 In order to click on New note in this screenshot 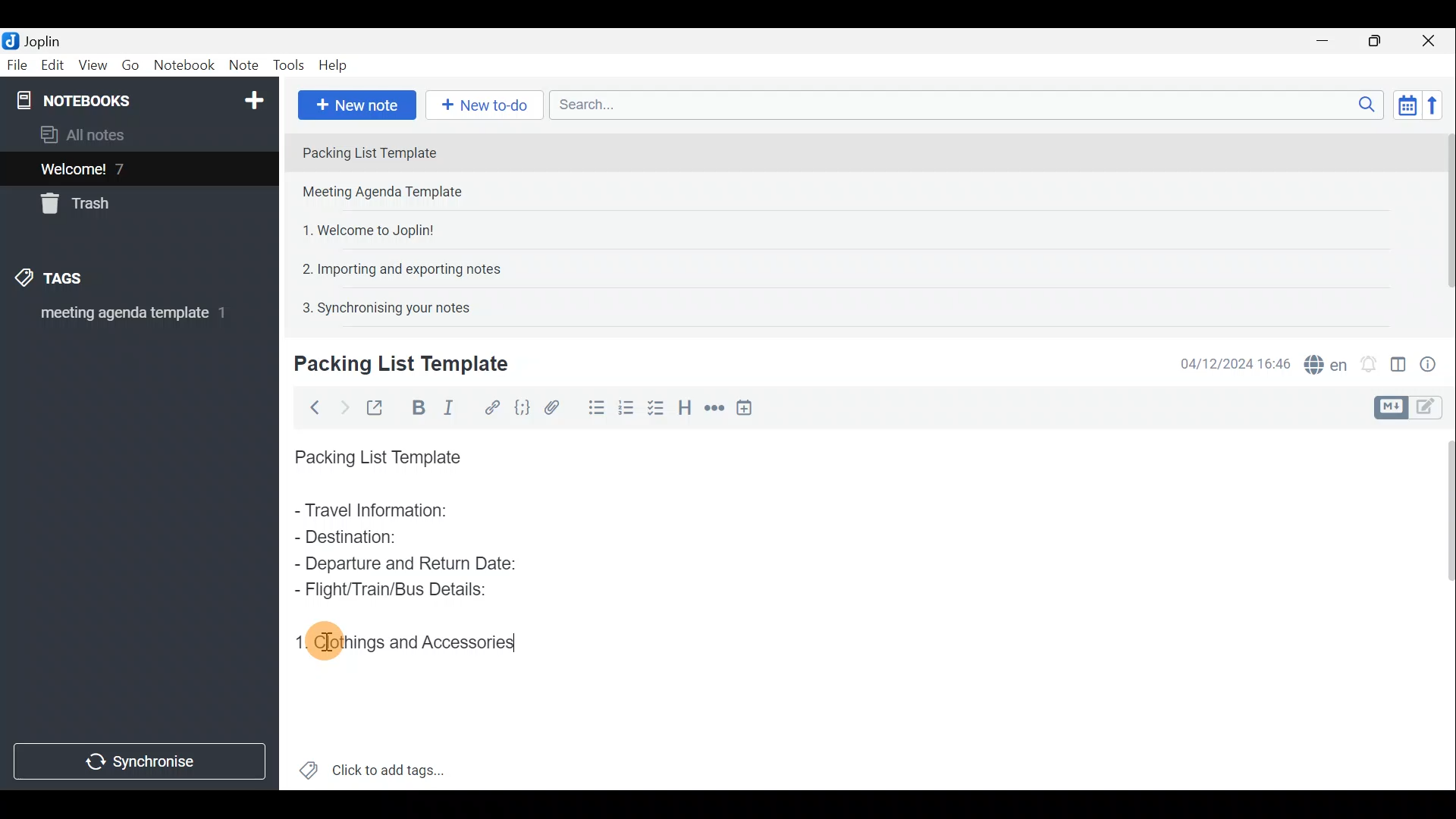, I will do `click(356, 103)`.